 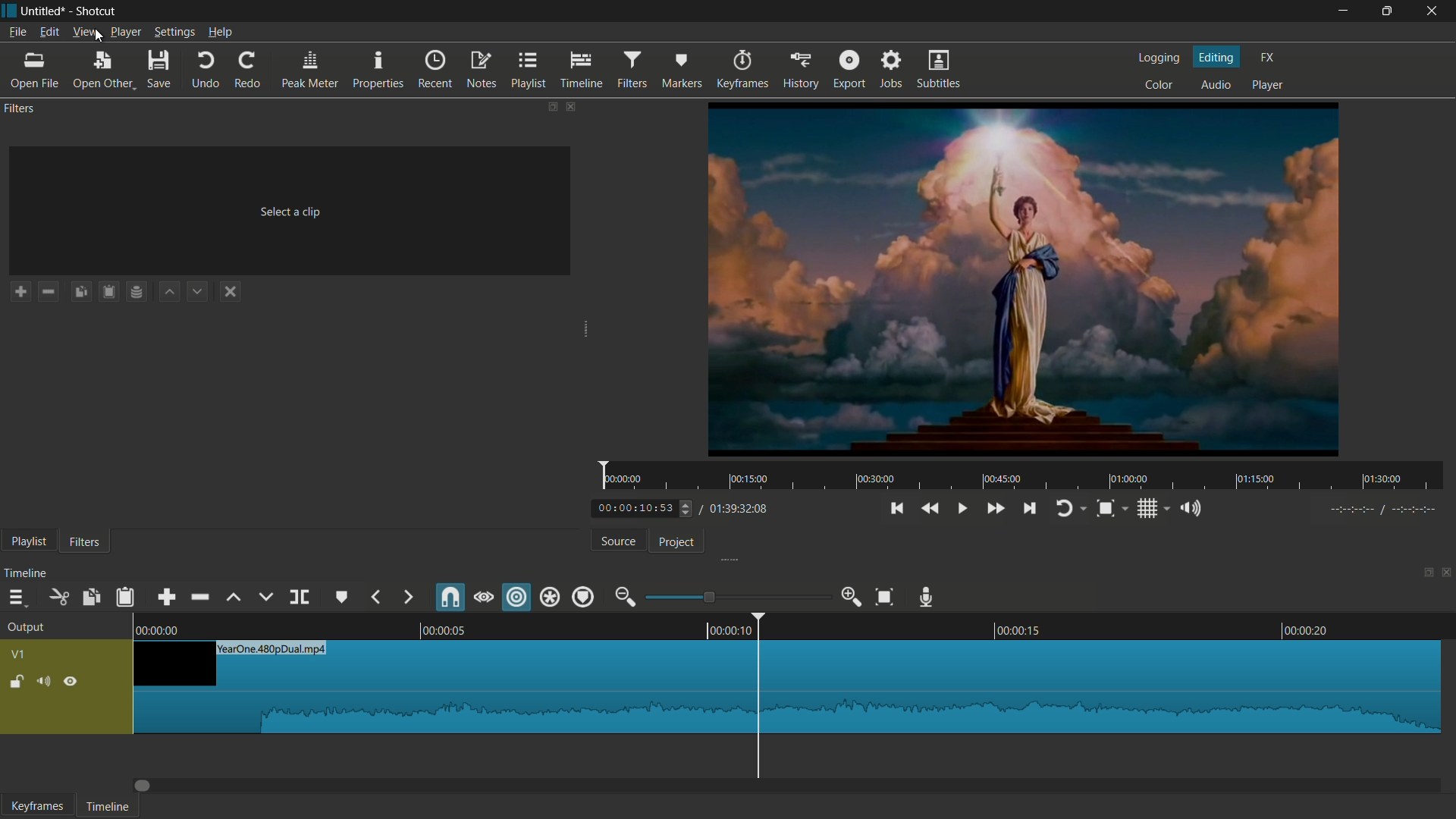 I want to click on editing, so click(x=1217, y=56).